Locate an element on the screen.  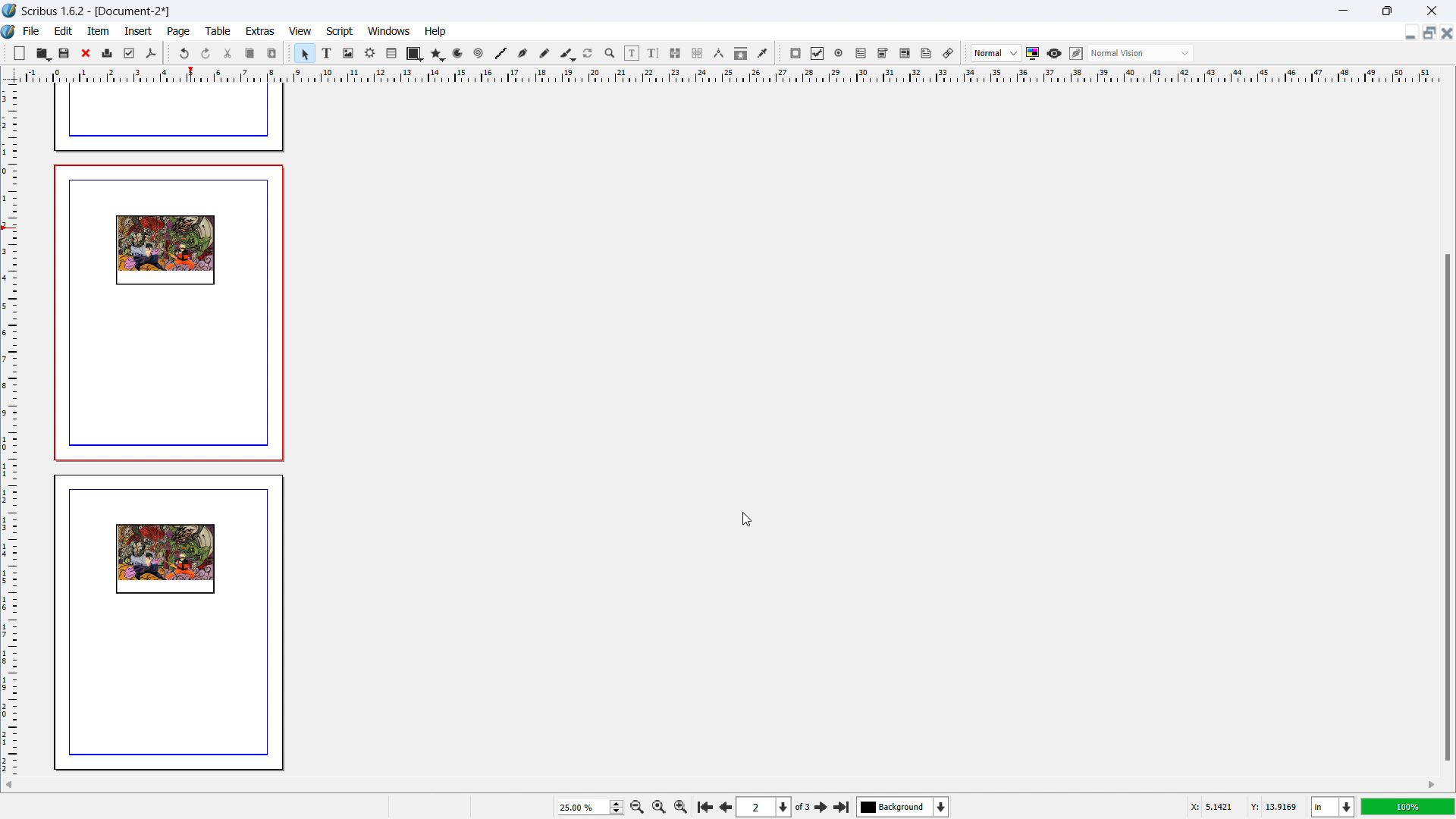
eye dropper is located at coordinates (764, 52).